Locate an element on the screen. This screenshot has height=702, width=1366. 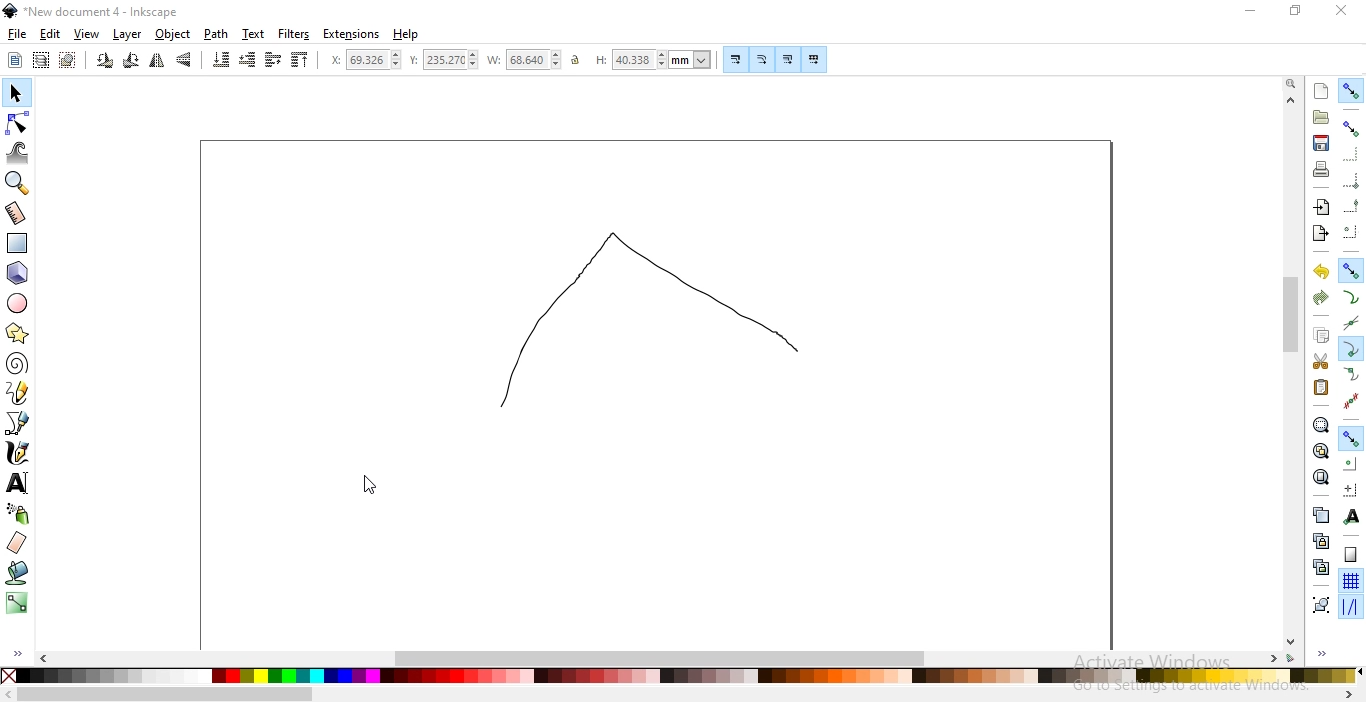
 is located at coordinates (763, 59).